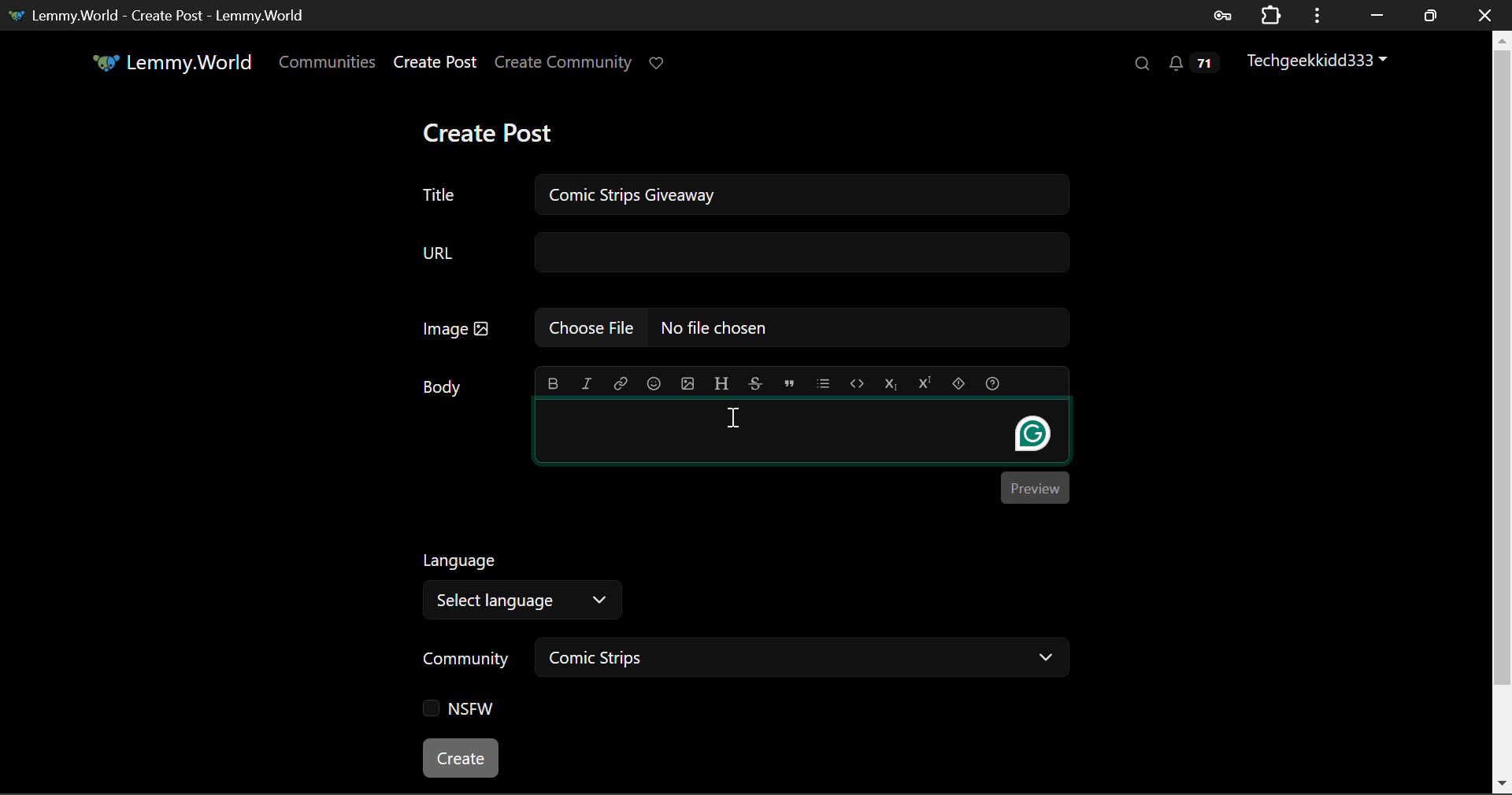  Describe the element at coordinates (1430, 13) in the screenshot. I see `Minimize Window` at that location.